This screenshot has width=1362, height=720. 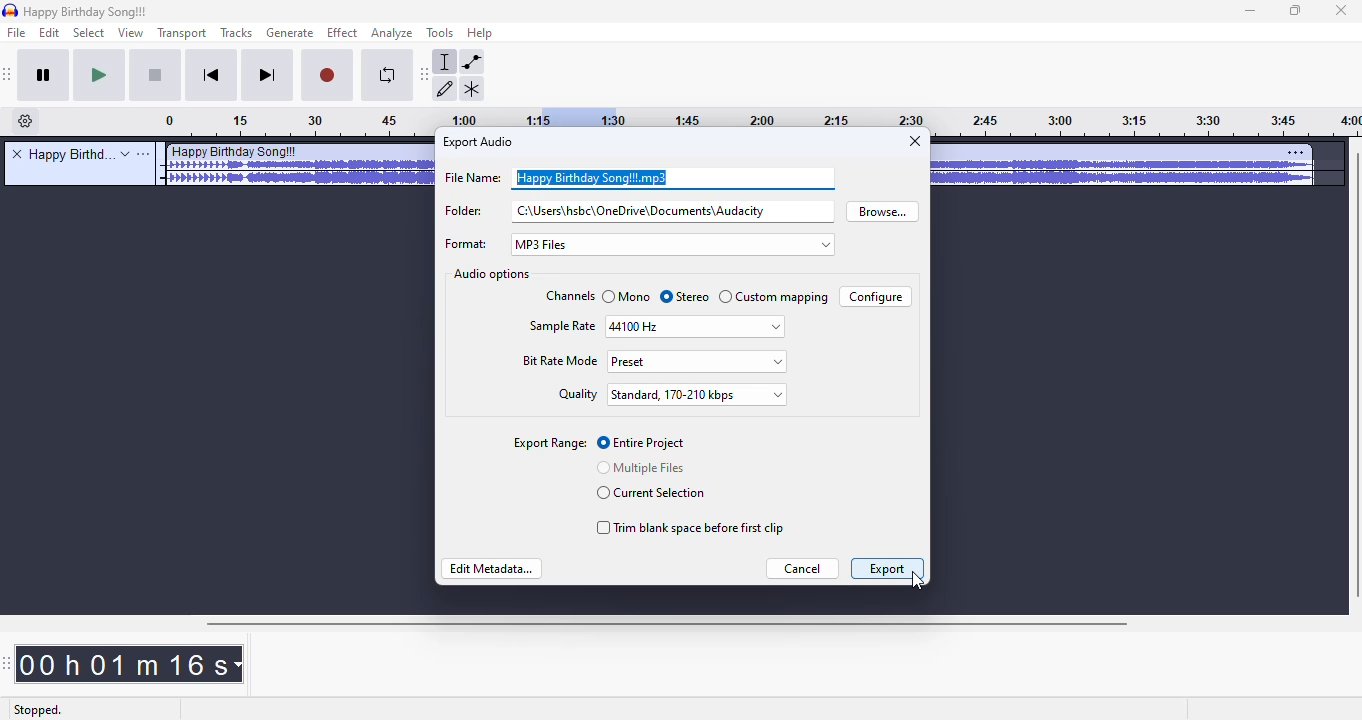 What do you see at coordinates (801, 568) in the screenshot?
I see `cancel` at bounding box center [801, 568].